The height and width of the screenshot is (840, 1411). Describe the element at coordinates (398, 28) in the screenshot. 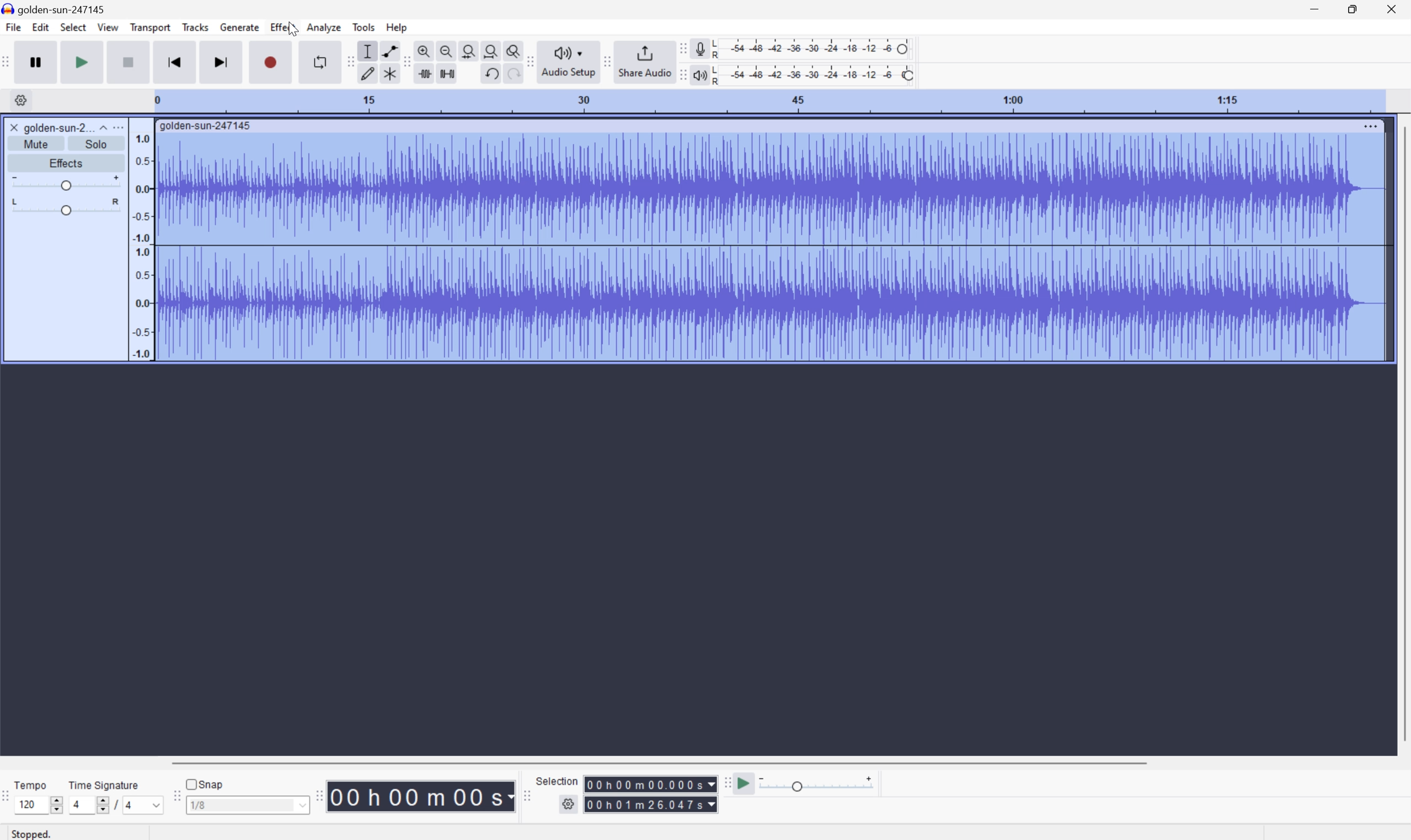

I see `Help` at that location.